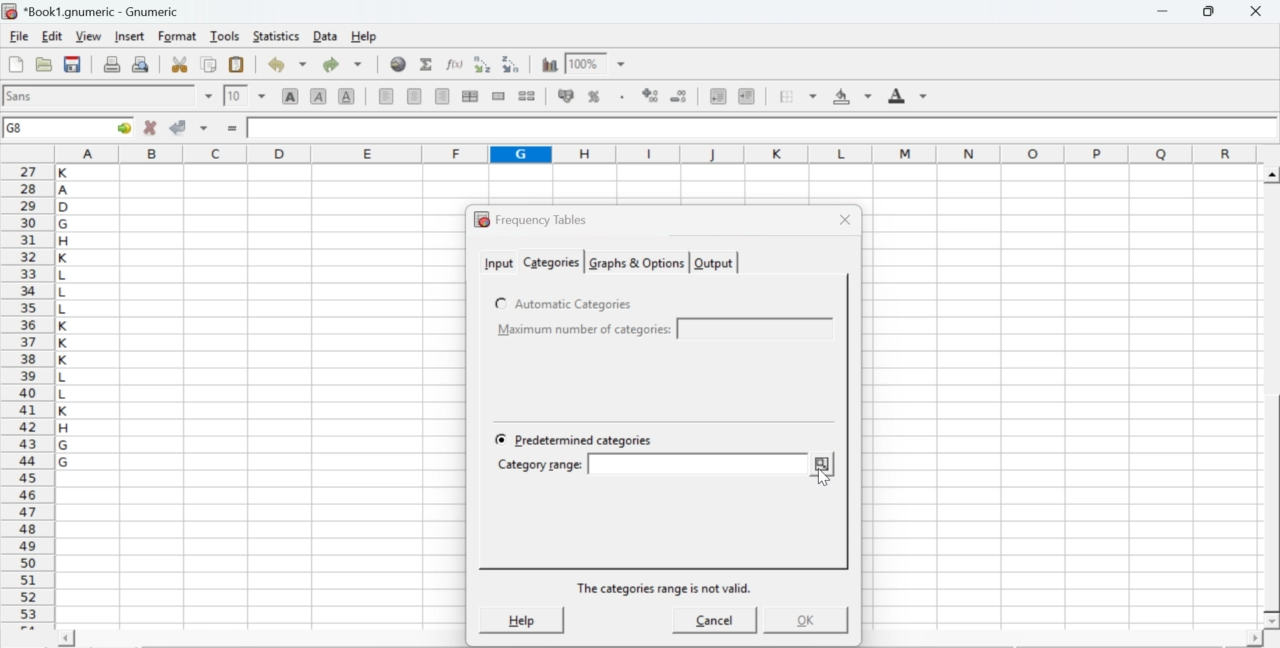 The image size is (1280, 648). What do you see at coordinates (531, 220) in the screenshot?
I see `frequency tables` at bounding box center [531, 220].